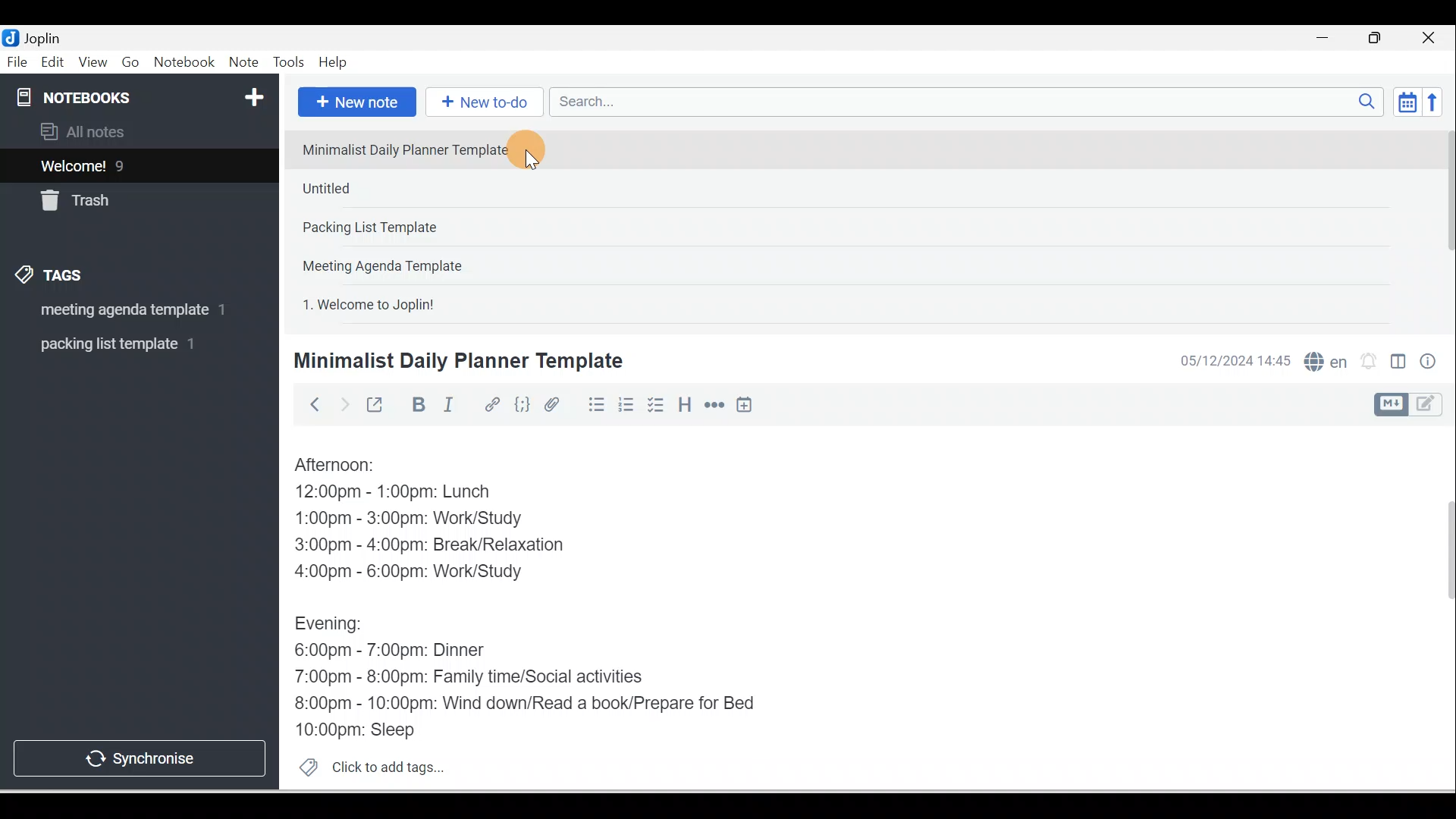  What do you see at coordinates (556, 404) in the screenshot?
I see `Attach file` at bounding box center [556, 404].